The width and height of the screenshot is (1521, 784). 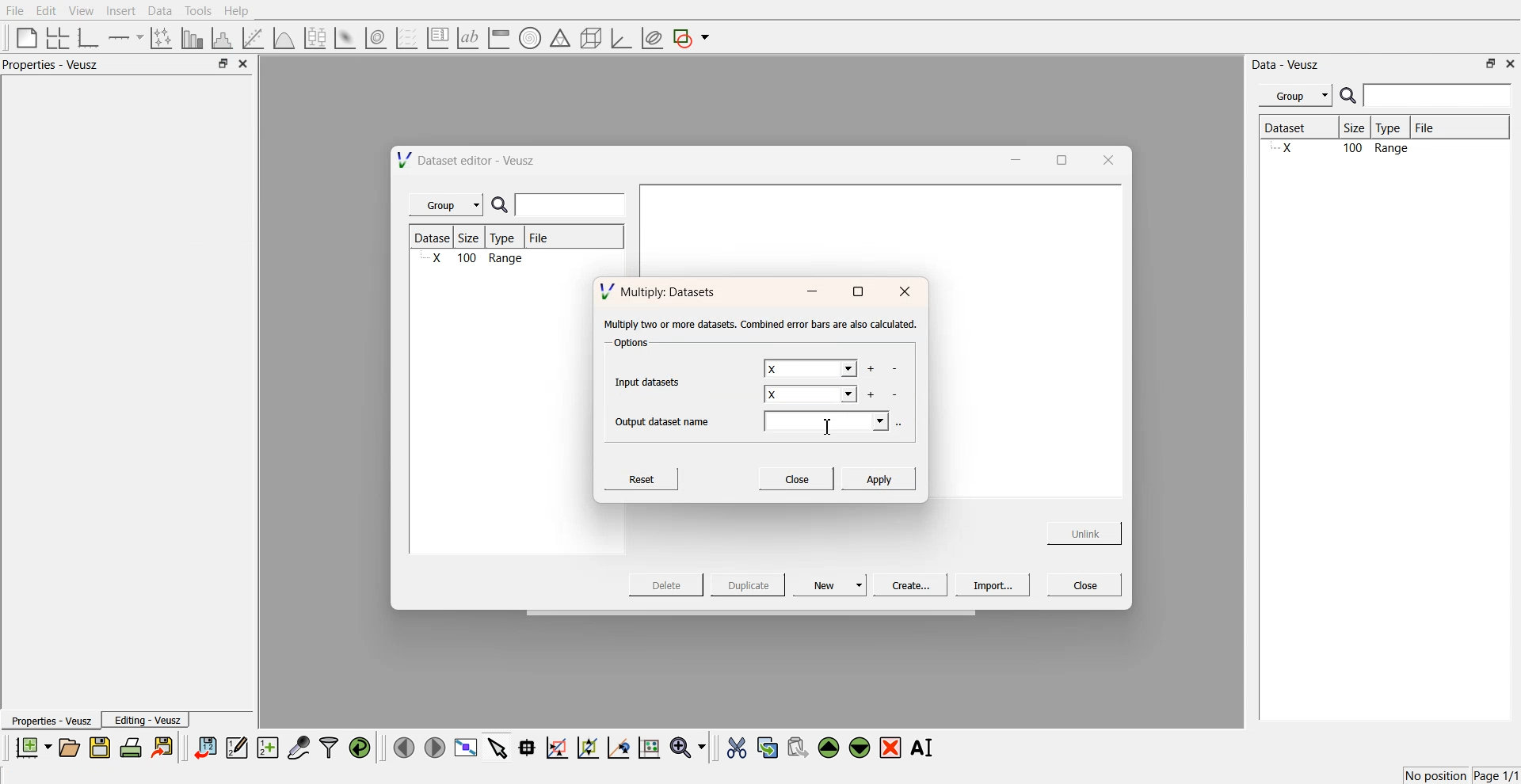 I want to click on Duplicate, so click(x=748, y=586).